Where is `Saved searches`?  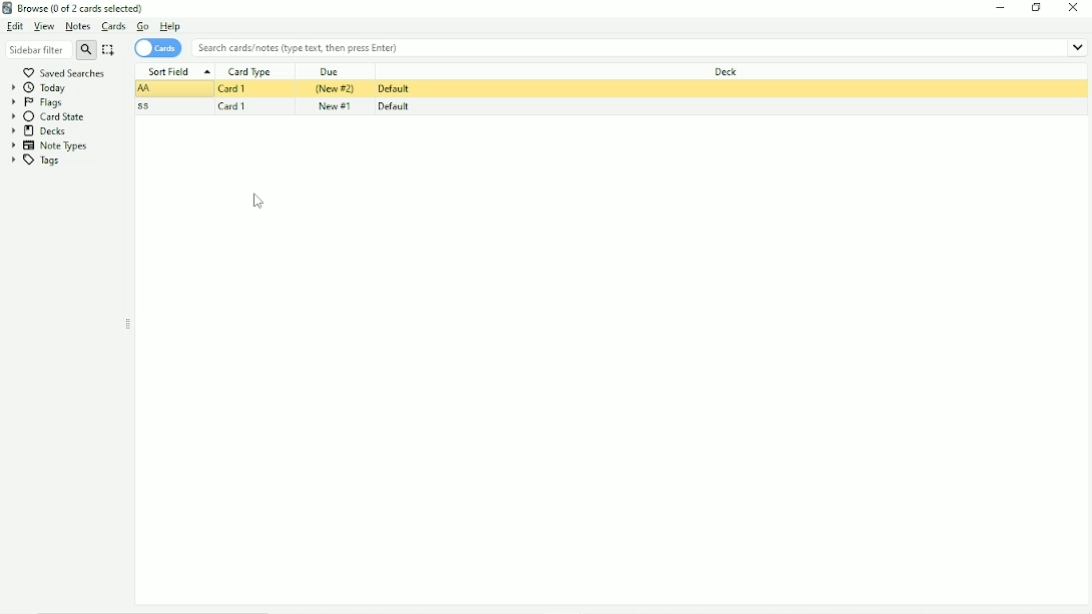
Saved searches is located at coordinates (60, 71).